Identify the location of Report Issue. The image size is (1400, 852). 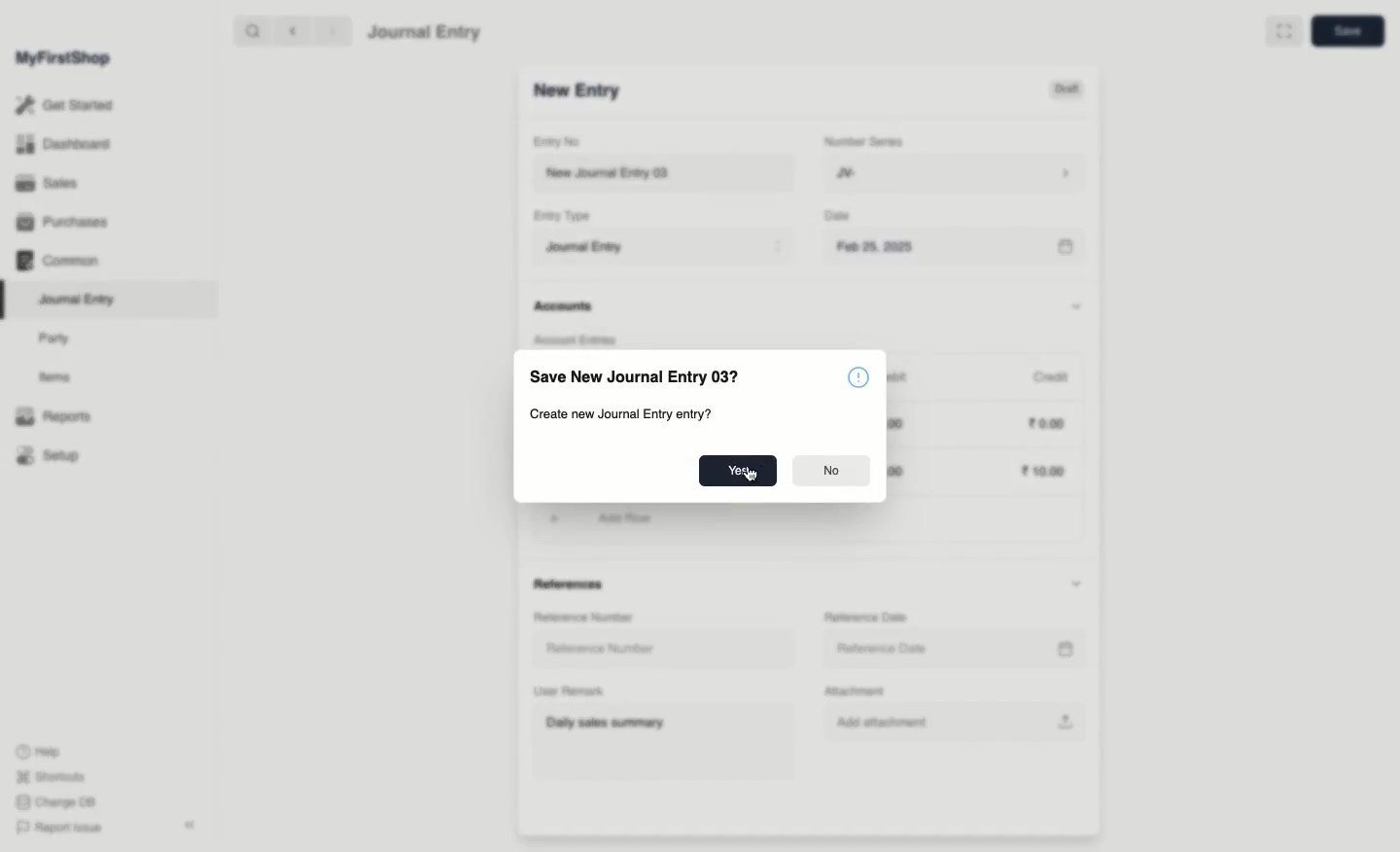
(57, 828).